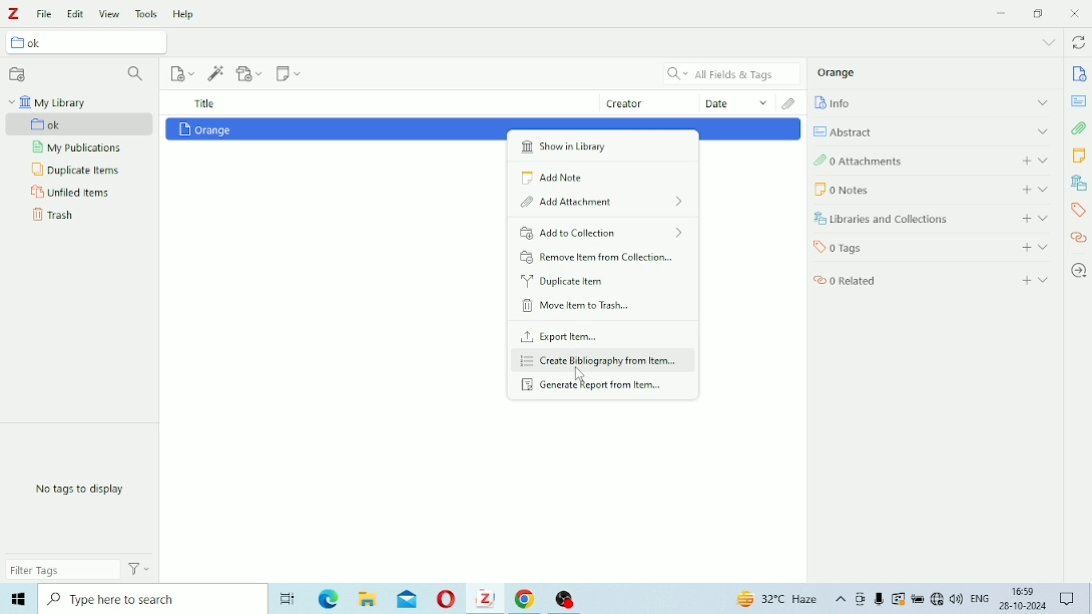 Image resolution: width=1092 pixels, height=614 pixels. What do you see at coordinates (1069, 600) in the screenshot?
I see `Notifications` at bounding box center [1069, 600].